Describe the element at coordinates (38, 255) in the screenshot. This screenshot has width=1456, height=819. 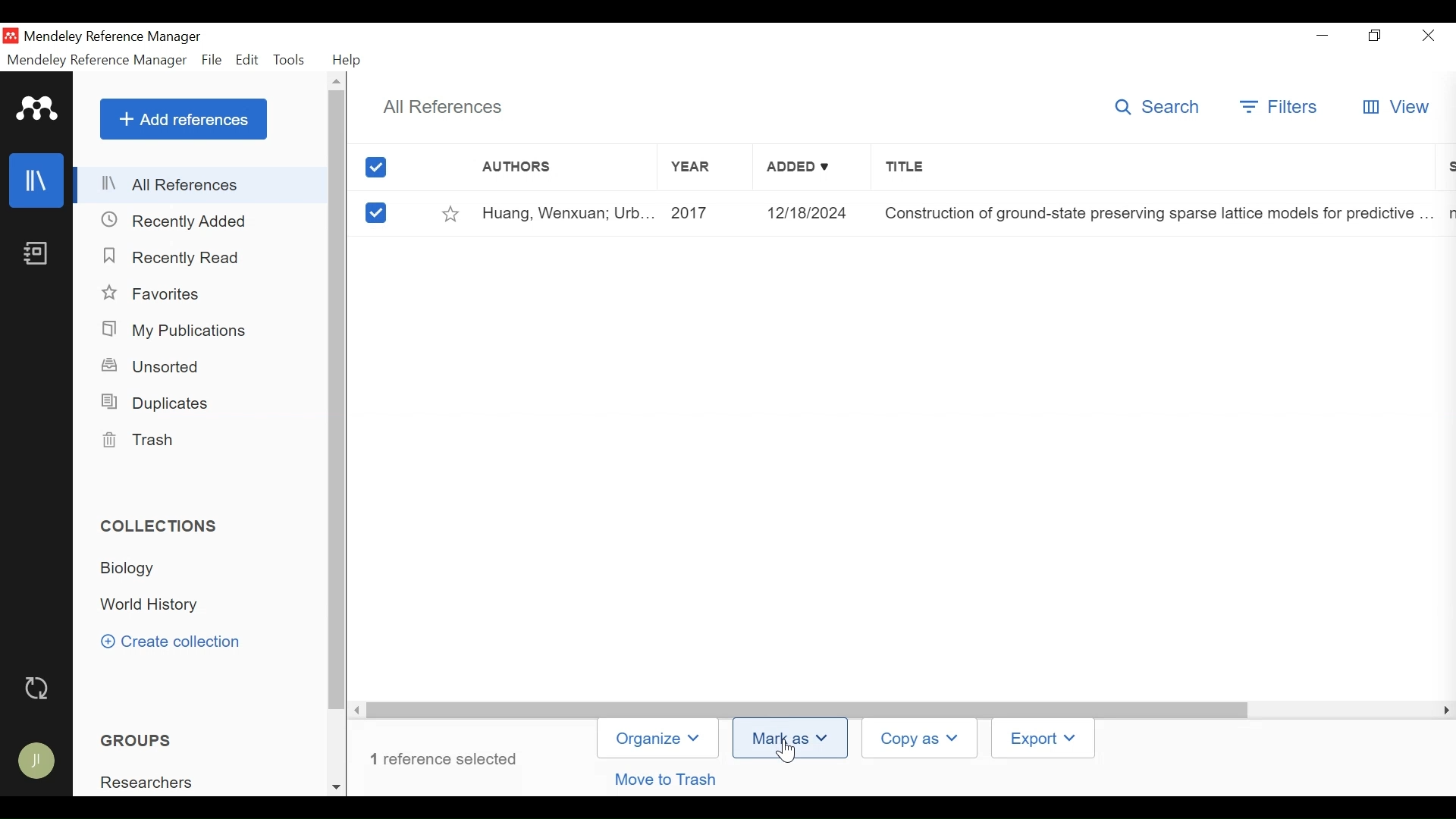
I see `Notebook` at that location.